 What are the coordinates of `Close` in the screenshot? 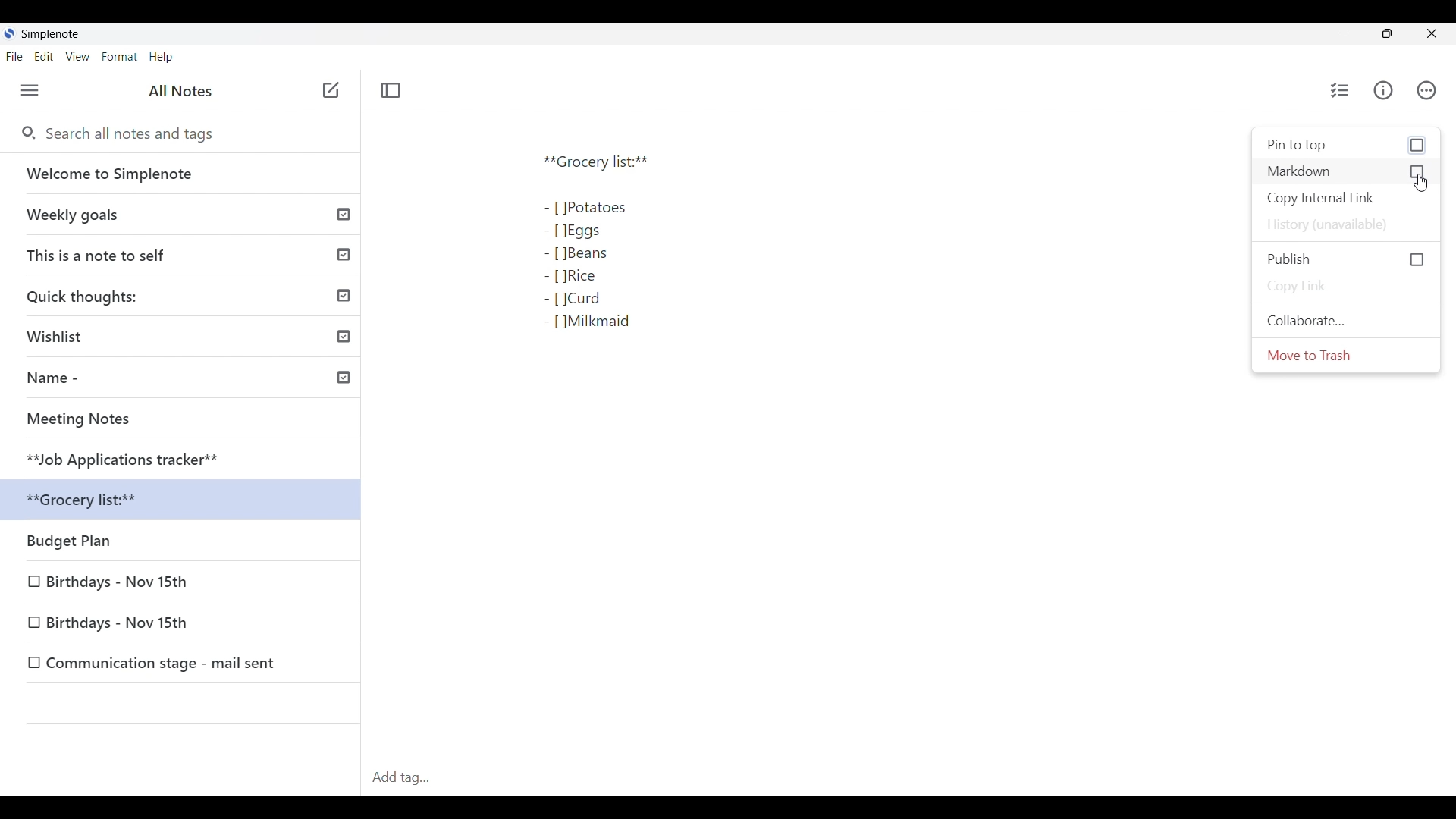 It's located at (1431, 33).